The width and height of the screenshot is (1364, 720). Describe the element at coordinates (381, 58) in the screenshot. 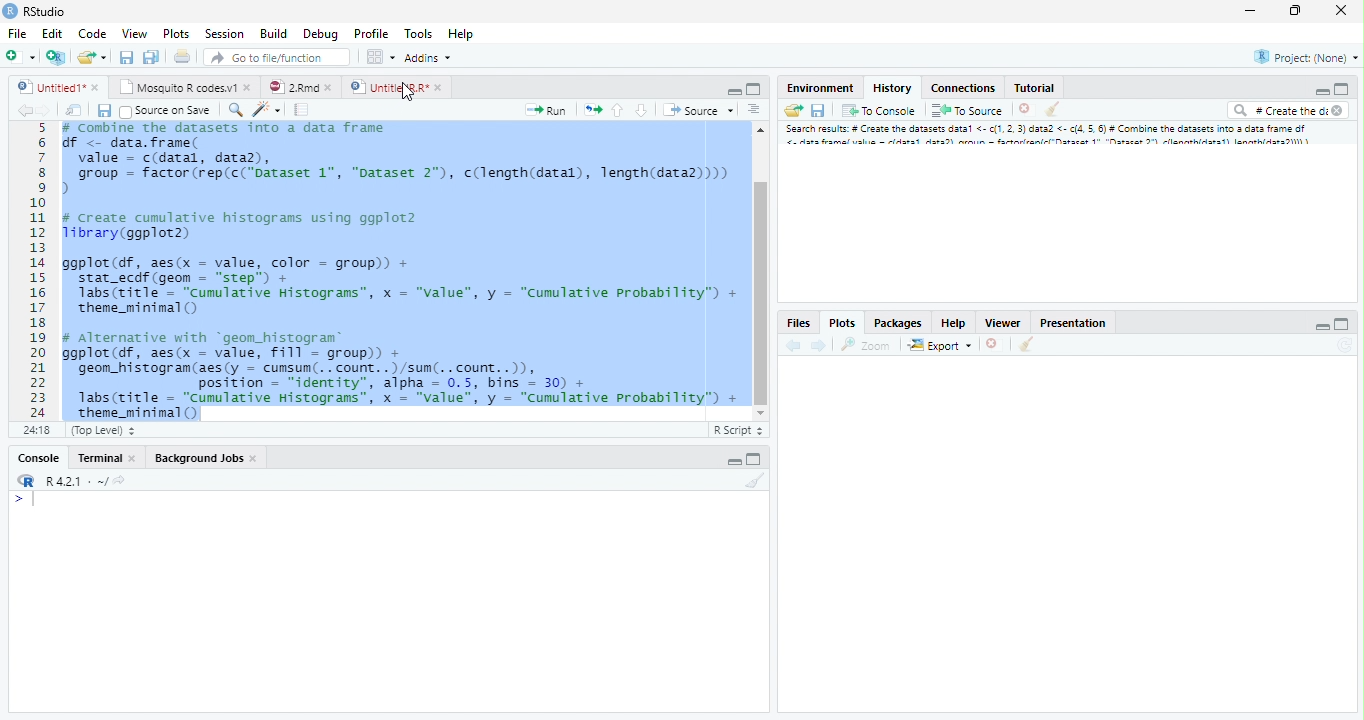

I see `Workspace pane` at that location.